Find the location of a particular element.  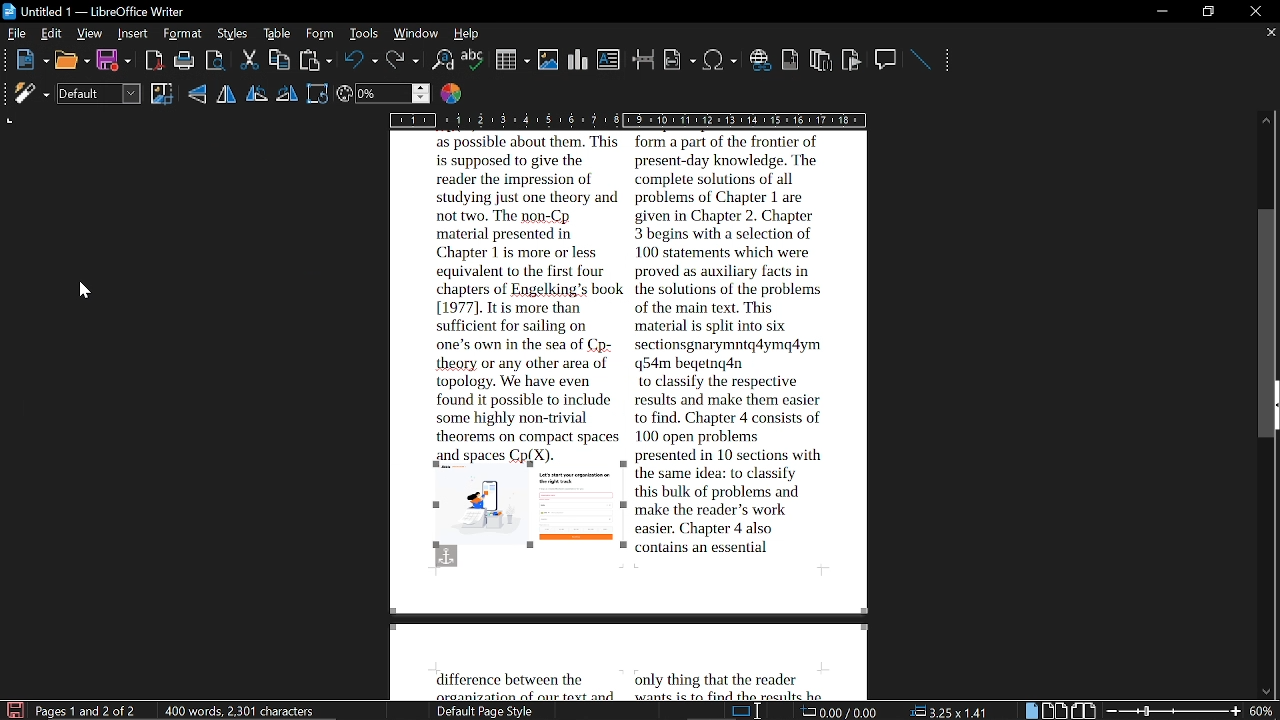

single page view is located at coordinates (1031, 711).